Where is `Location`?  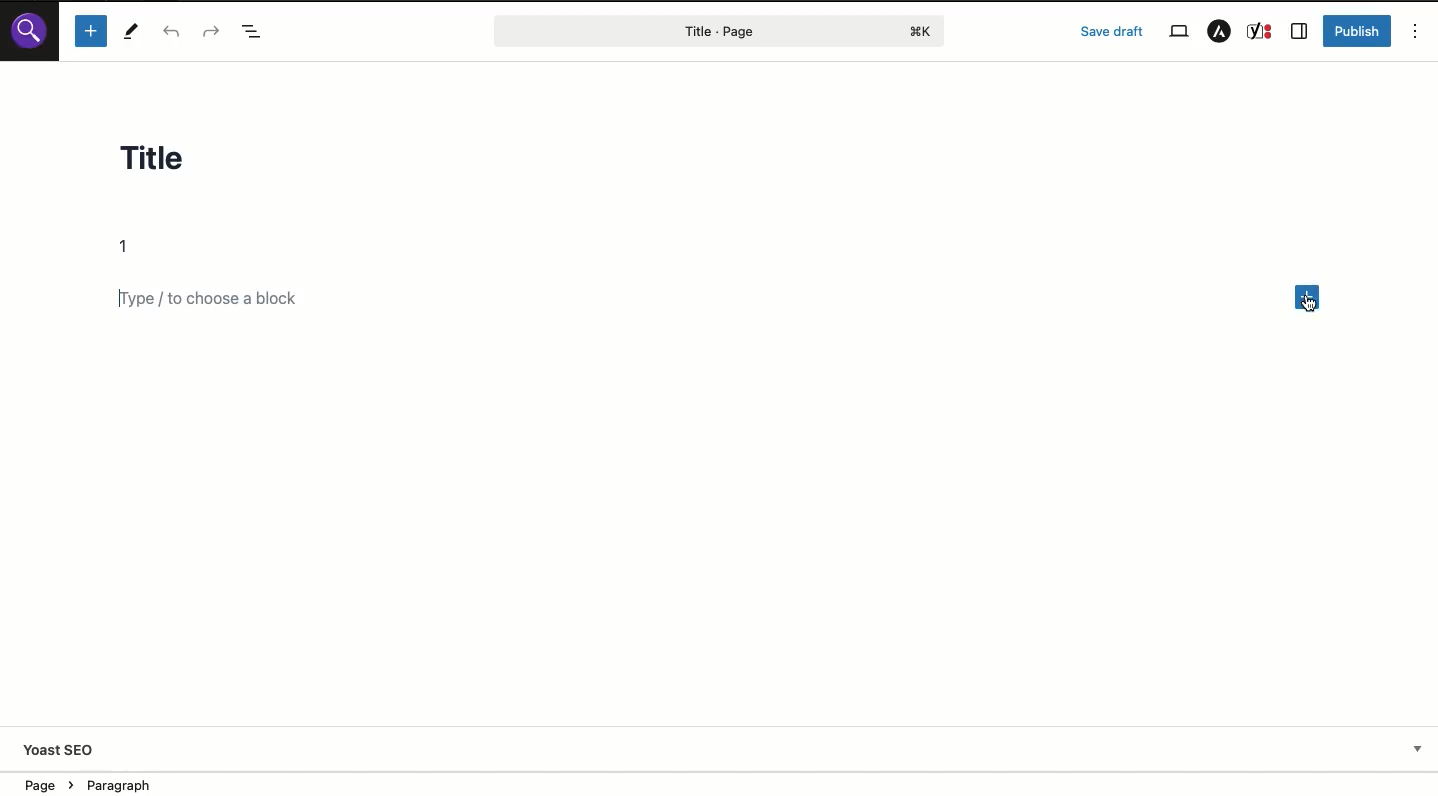
Location is located at coordinates (110, 783).